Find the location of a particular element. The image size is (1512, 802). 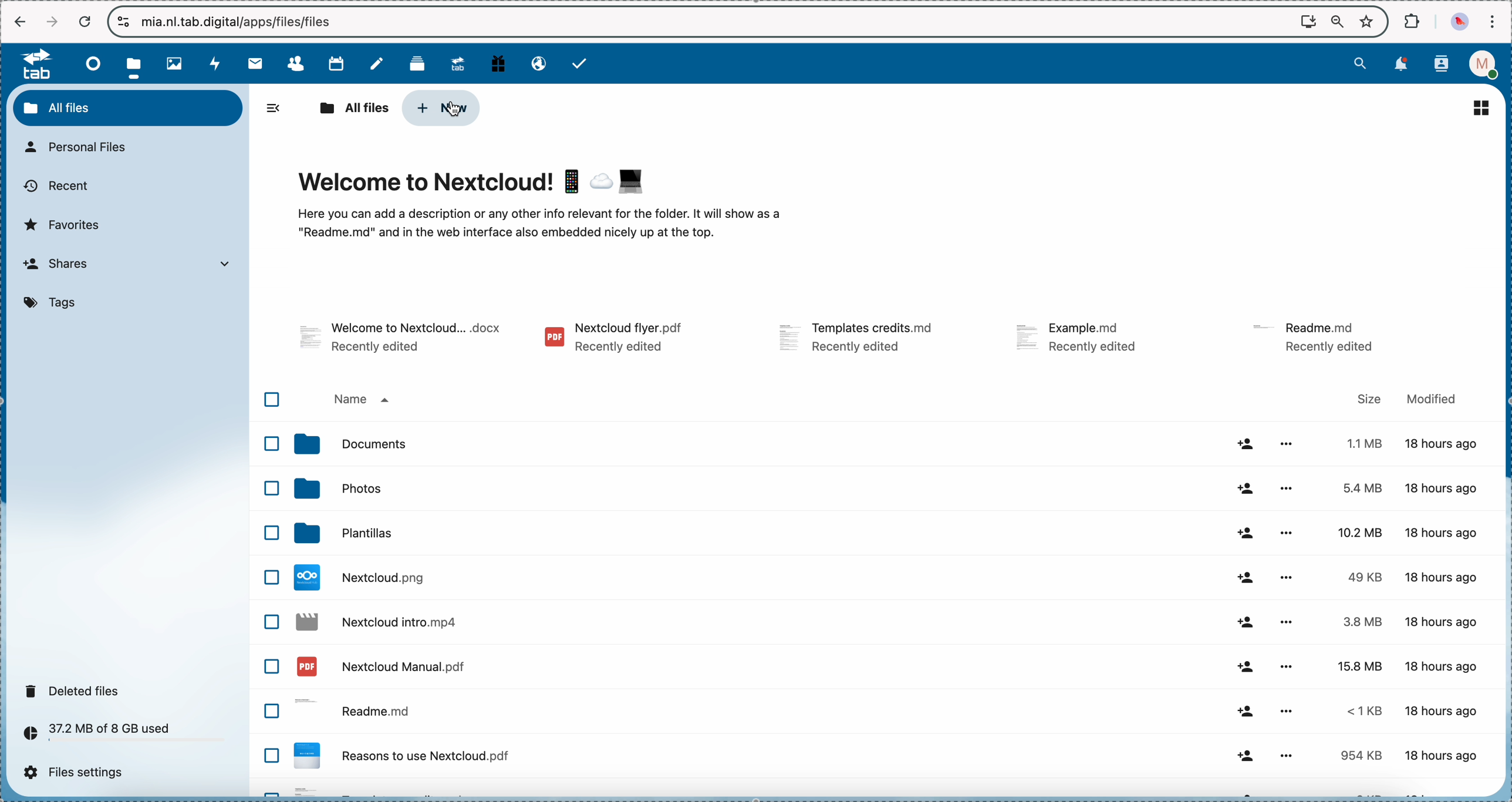

file is located at coordinates (752, 668).